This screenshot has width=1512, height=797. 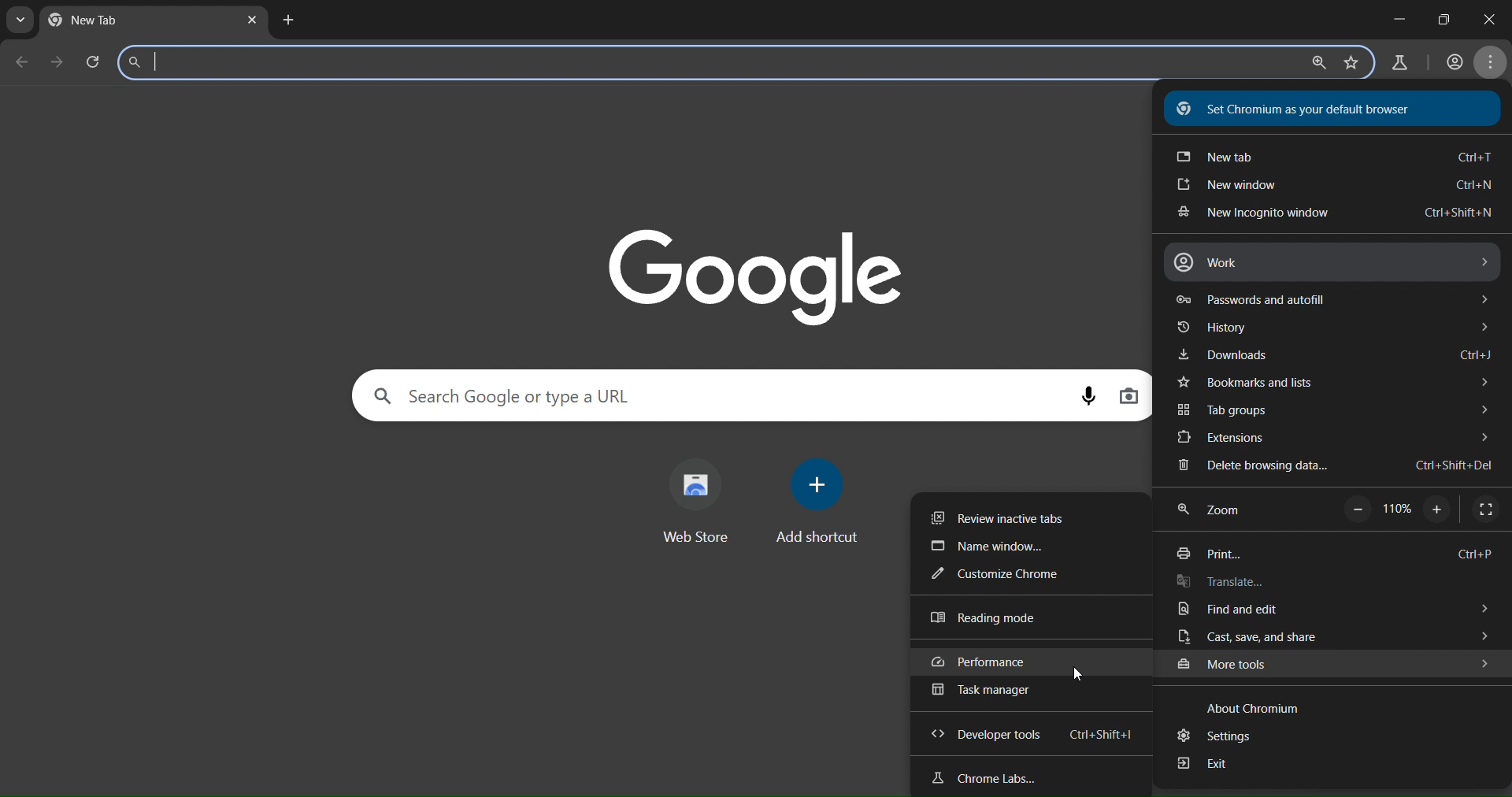 What do you see at coordinates (1210, 769) in the screenshot?
I see `exit` at bounding box center [1210, 769].